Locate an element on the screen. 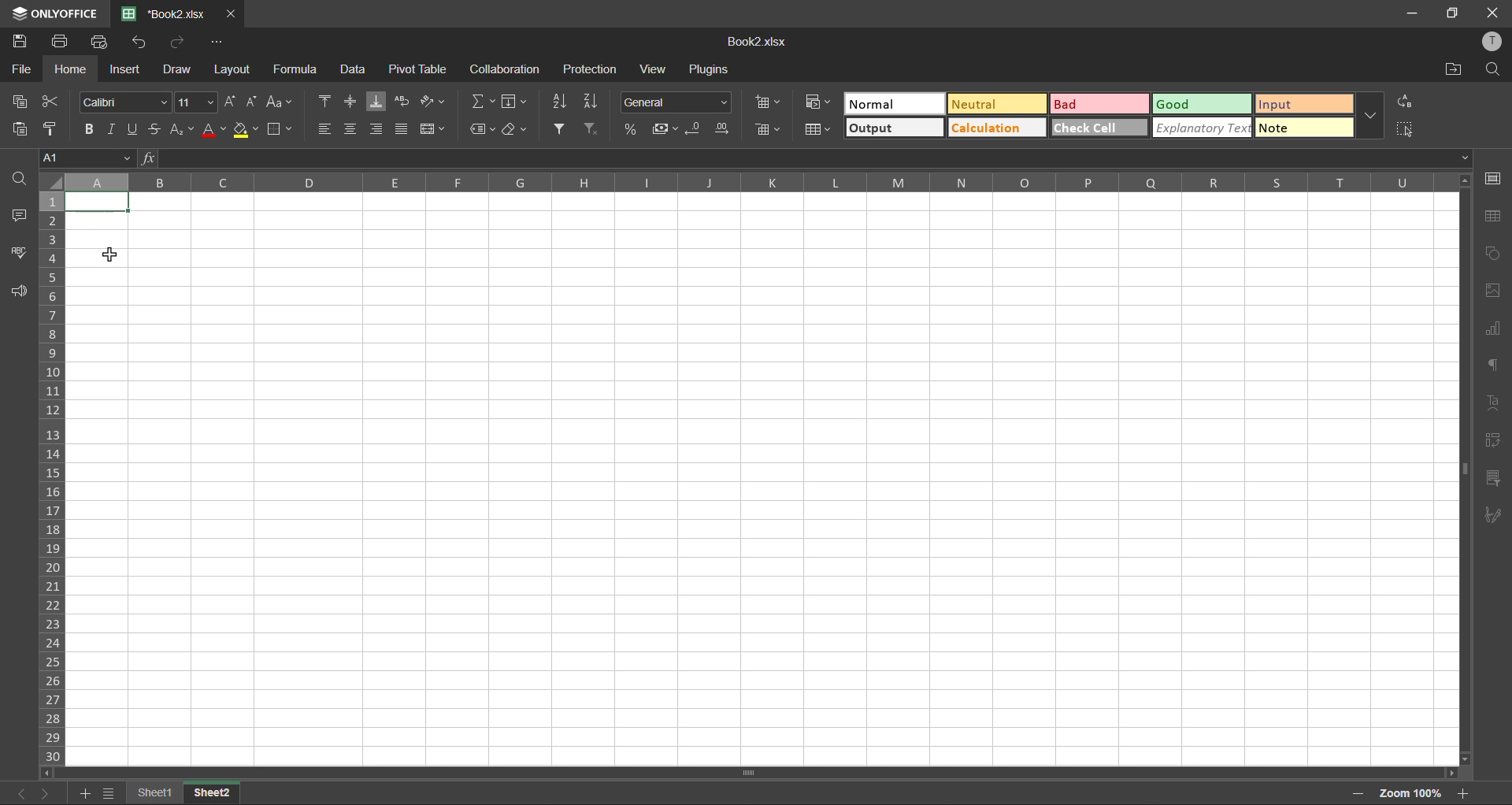 Image resolution: width=1512 pixels, height=805 pixels. book2.xlsx is located at coordinates (755, 43).